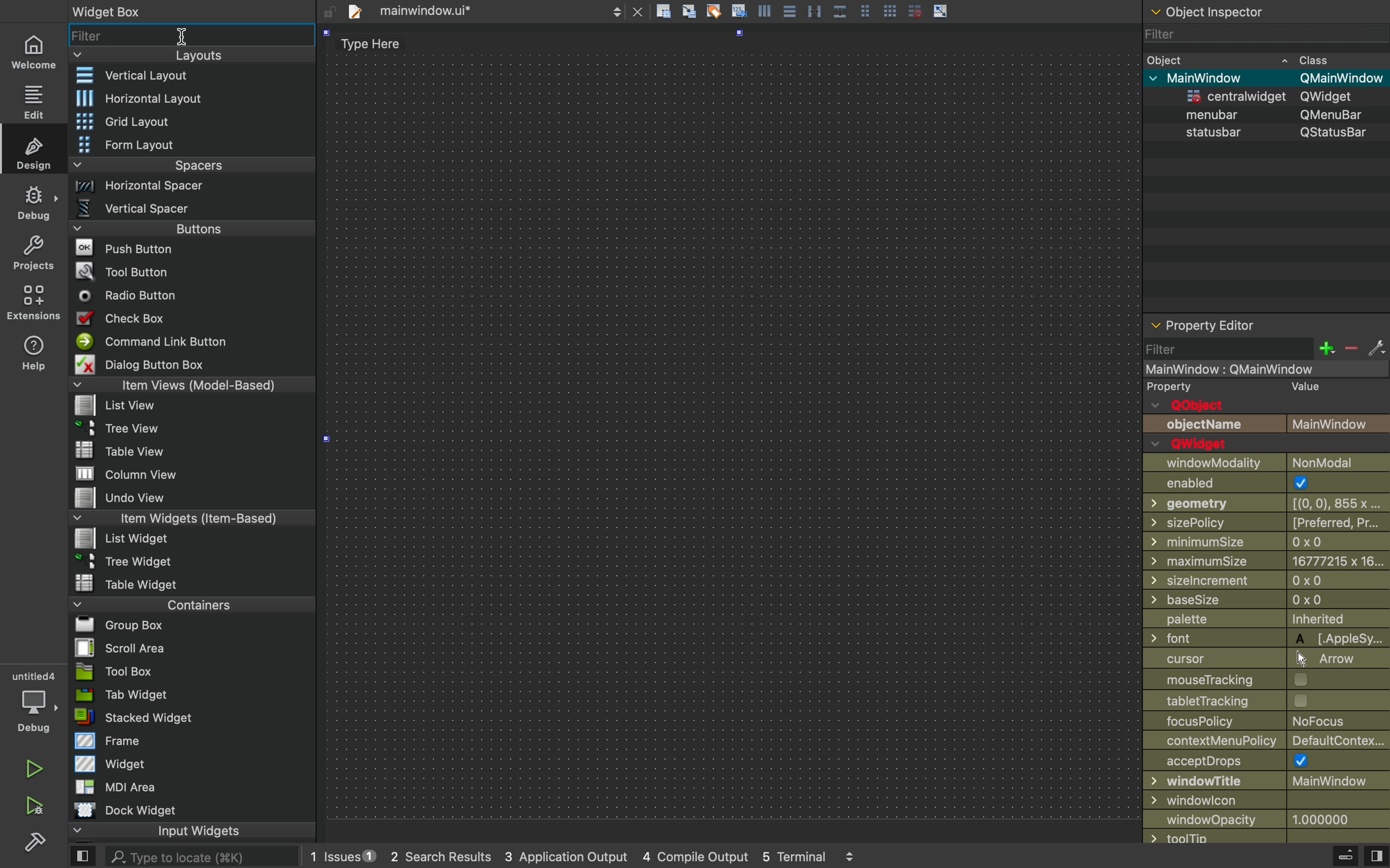 The width and height of the screenshot is (1390, 868). I want to click on tool button, so click(193, 272).